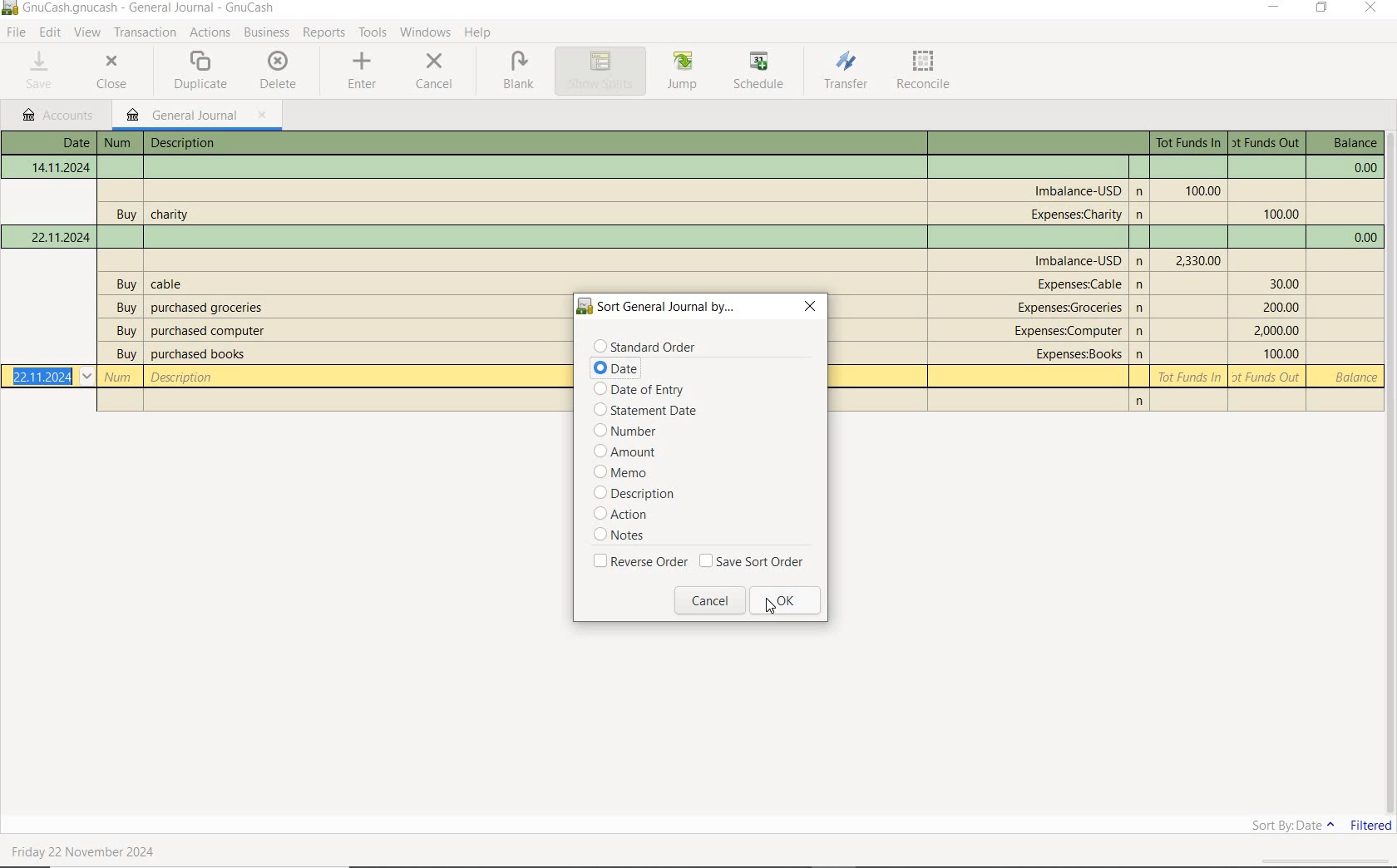 The image size is (1397, 868). Describe the element at coordinates (923, 72) in the screenshot. I see `RECONCILE` at that location.